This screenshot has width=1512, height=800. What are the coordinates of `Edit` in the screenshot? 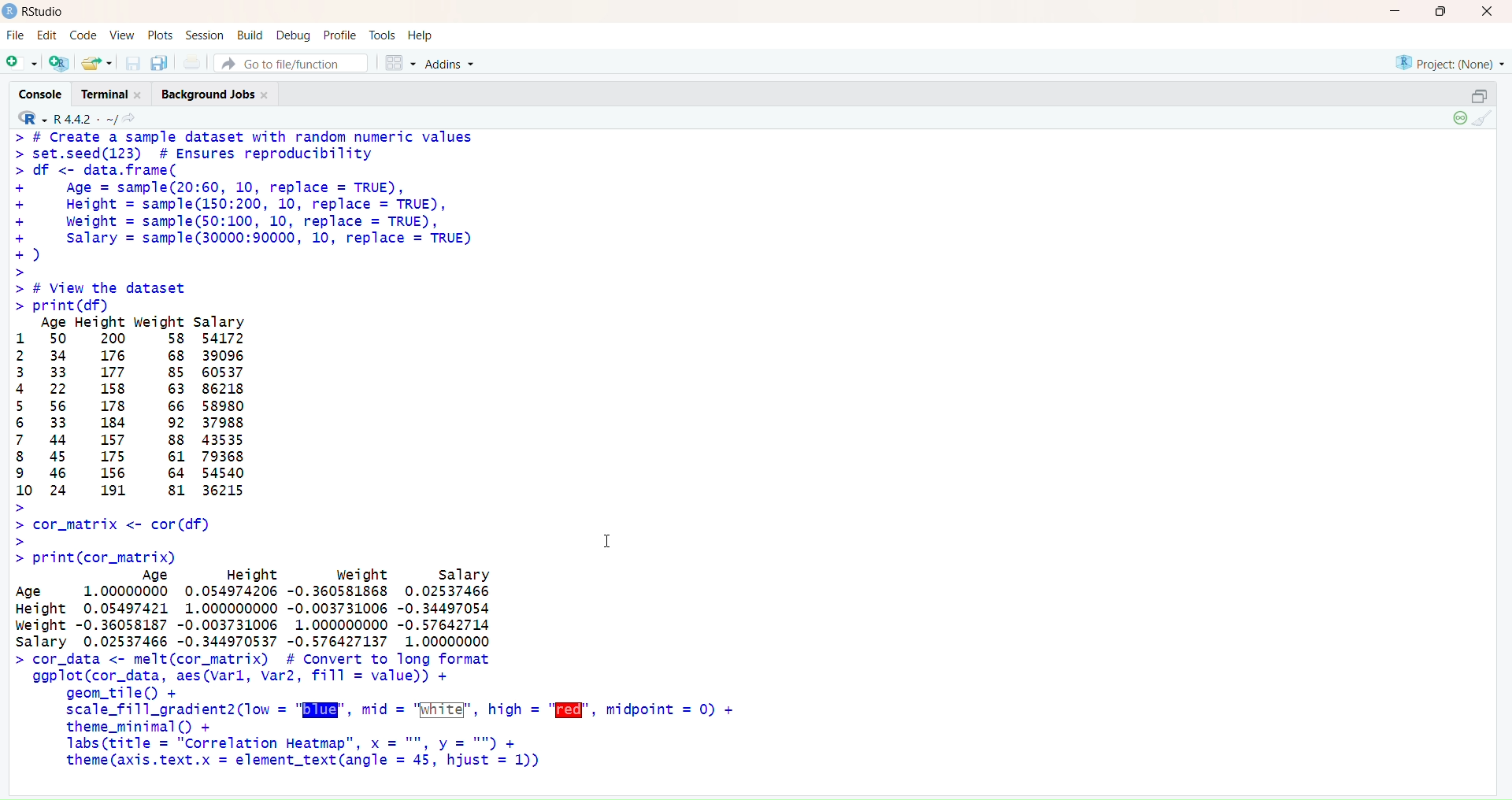 It's located at (48, 36).